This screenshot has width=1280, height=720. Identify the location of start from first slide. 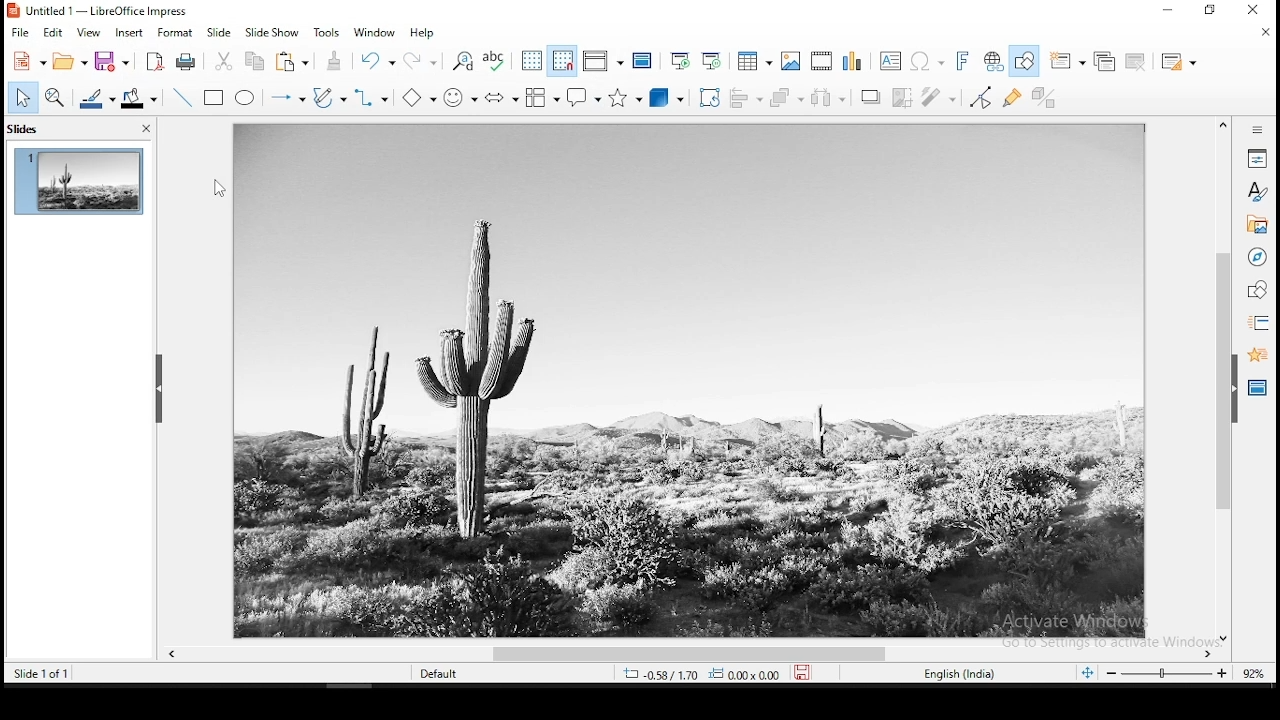
(680, 59).